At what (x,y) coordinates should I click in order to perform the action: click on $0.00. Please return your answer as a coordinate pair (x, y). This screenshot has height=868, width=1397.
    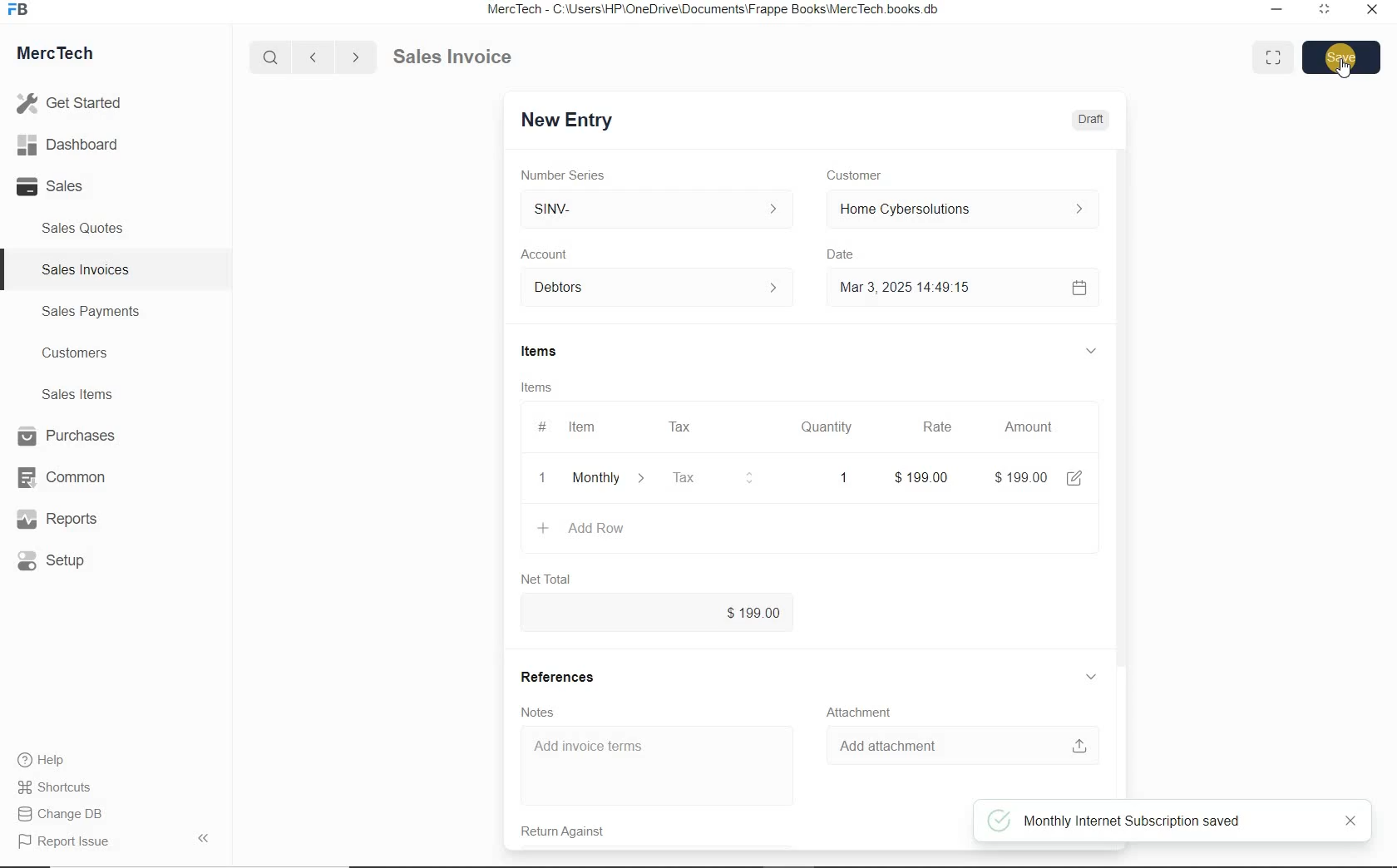
    Looking at the image, I should click on (657, 614).